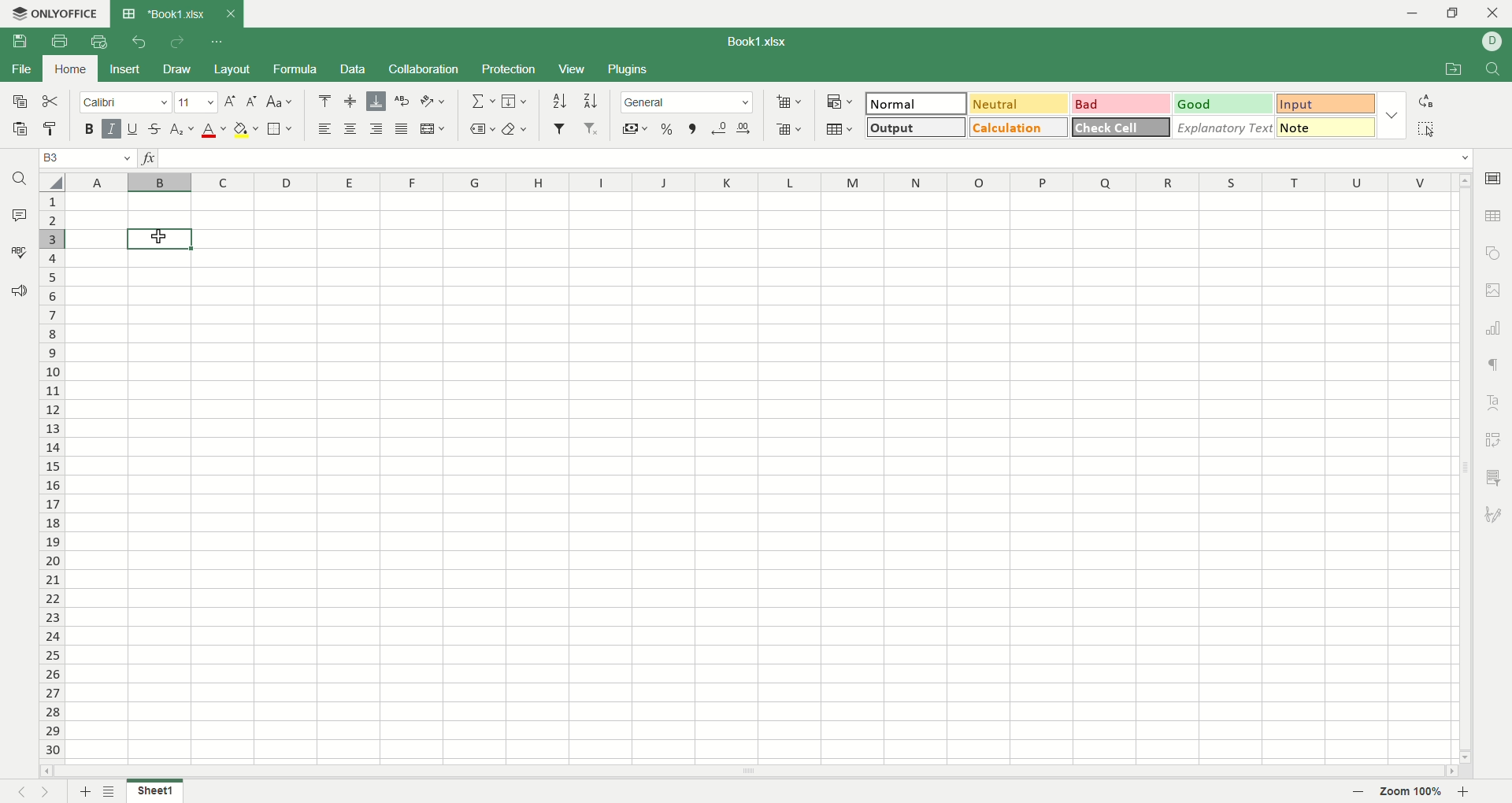  Describe the element at coordinates (134, 127) in the screenshot. I see `underline` at that location.